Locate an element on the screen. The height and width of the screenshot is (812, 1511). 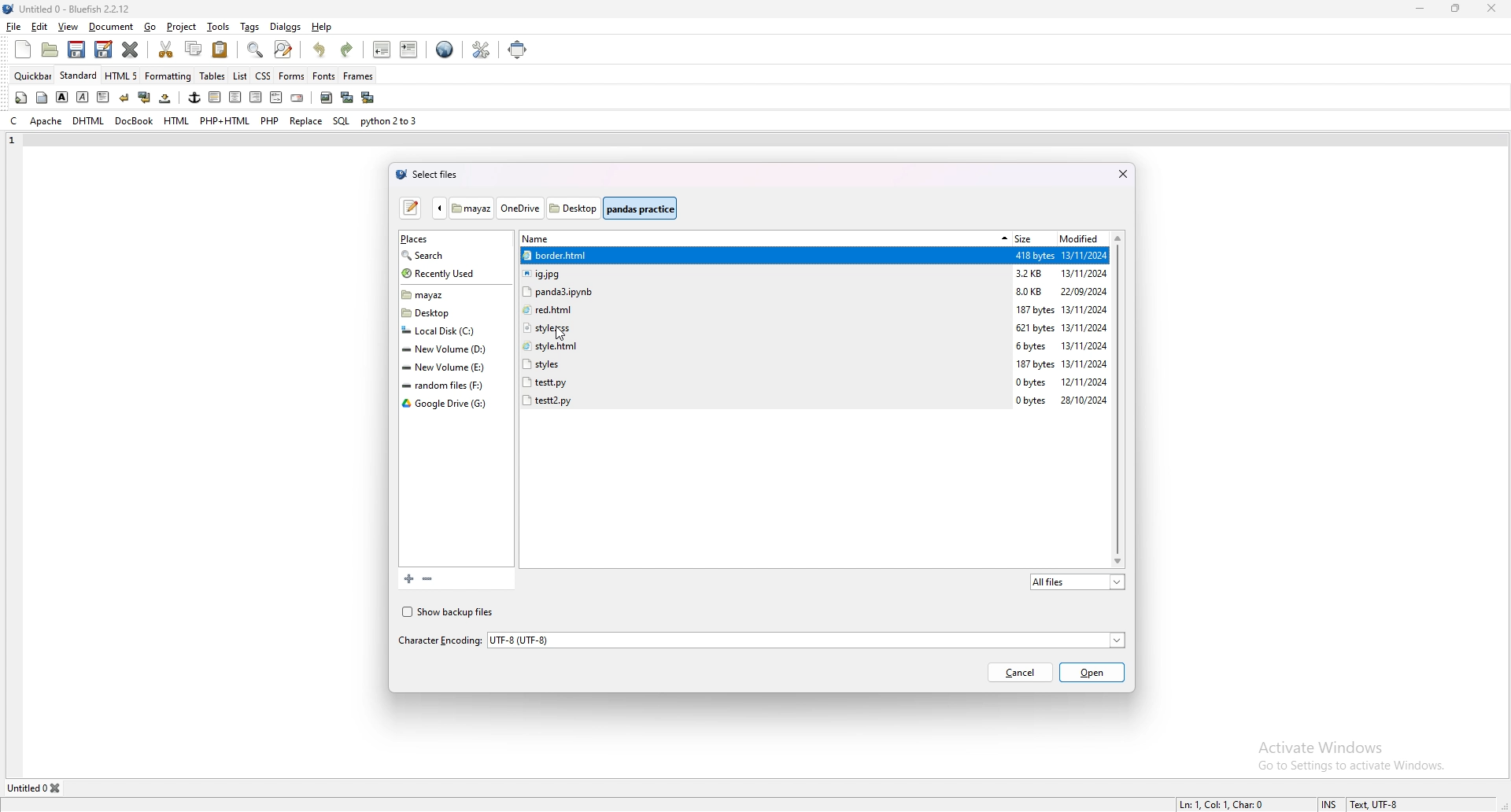
418 bytes is located at coordinates (1034, 257).